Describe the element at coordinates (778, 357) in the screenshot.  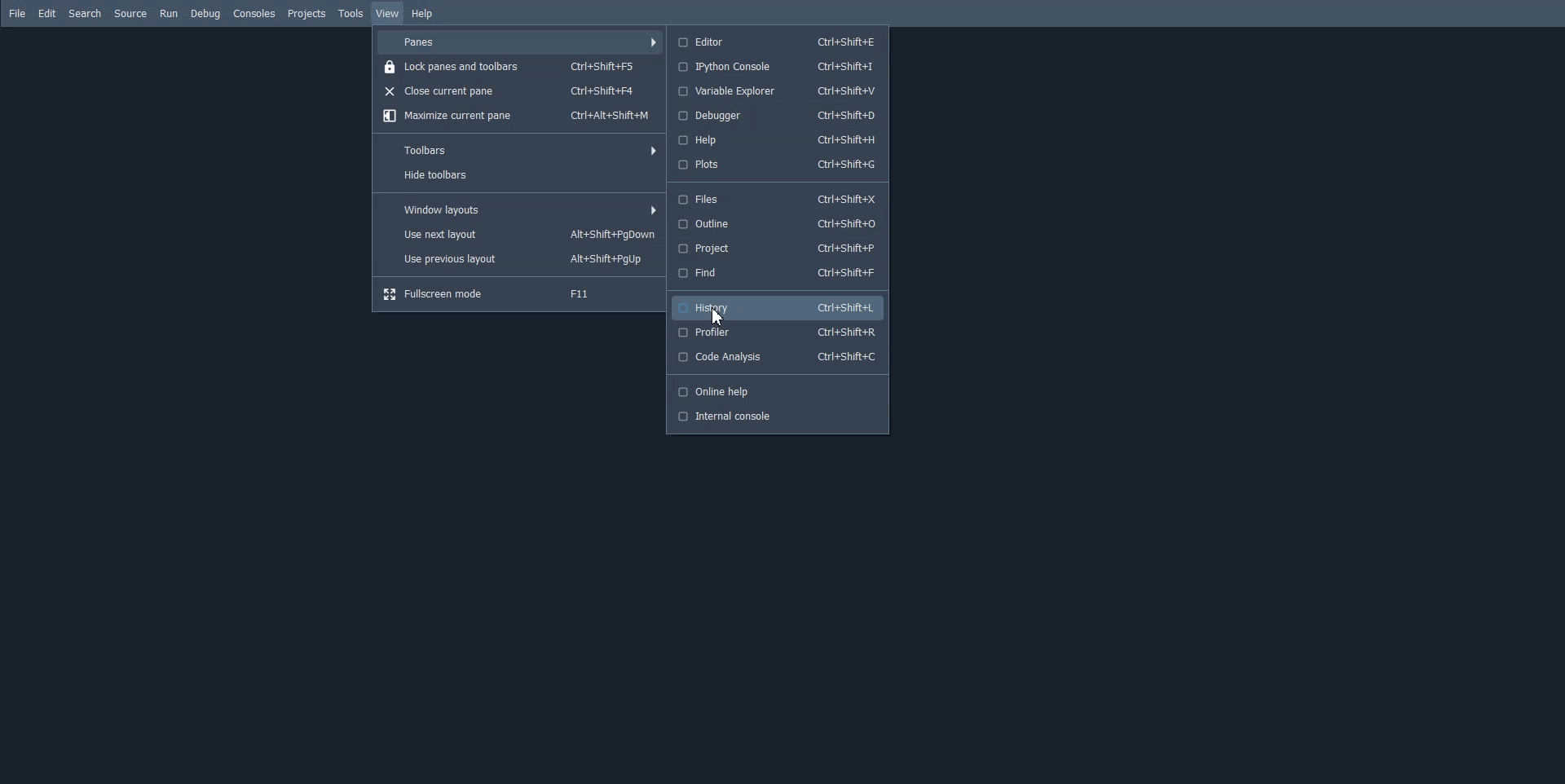
I see `code Analysis` at that location.